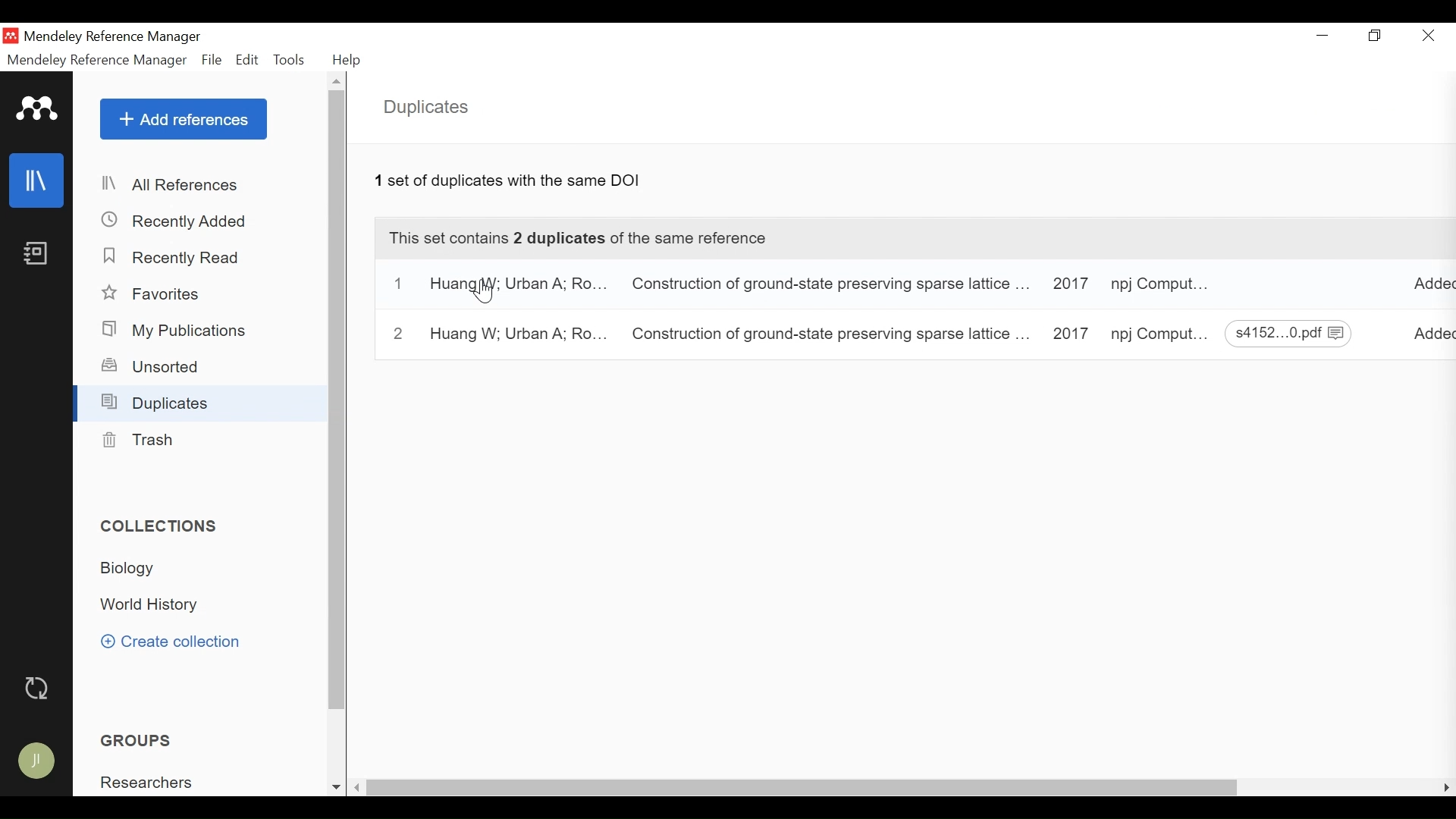 The image size is (1456, 819). I want to click on Collections, so click(162, 528).